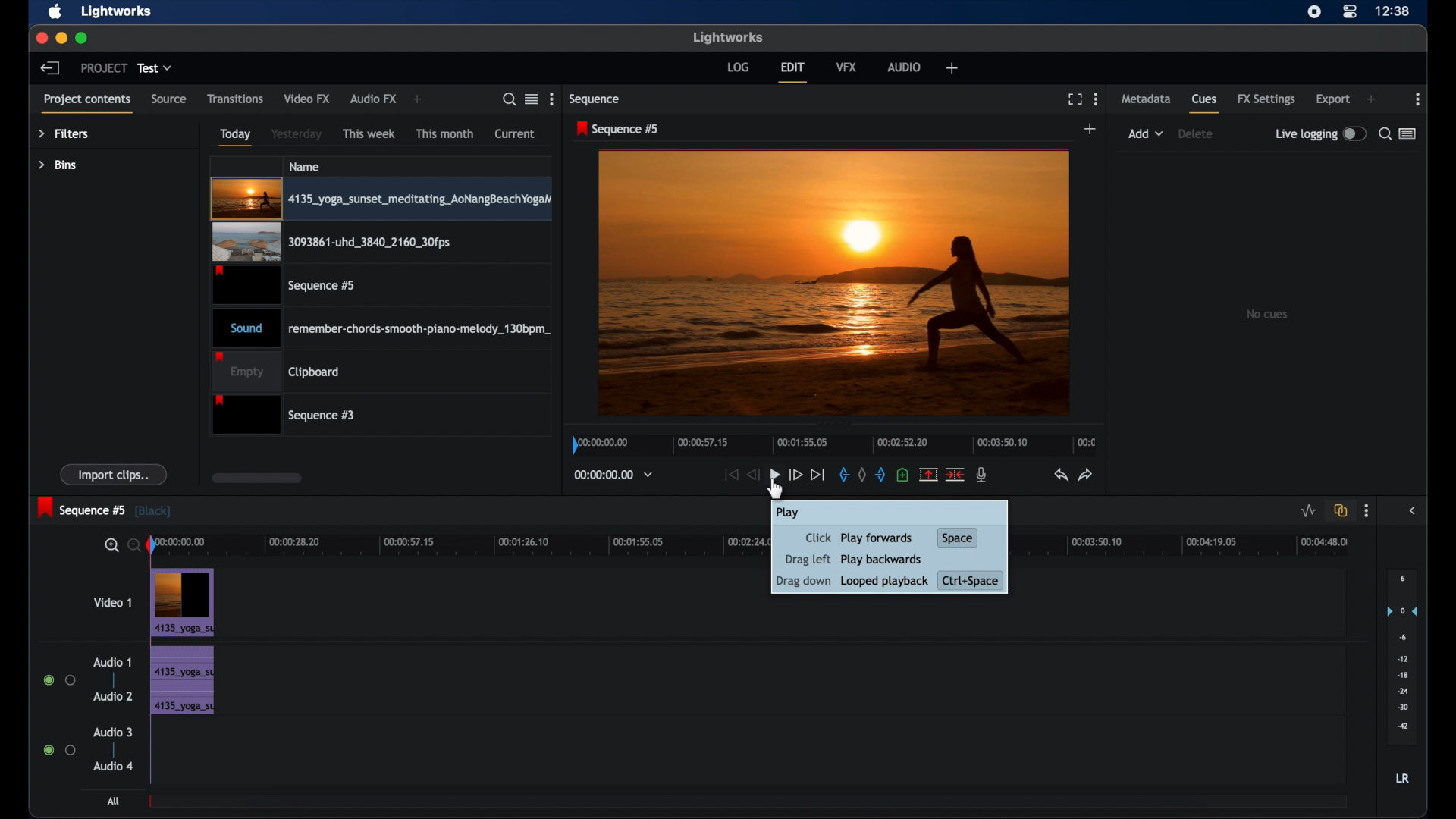 This screenshot has width=1456, height=819. I want to click on audio clip, so click(184, 702).